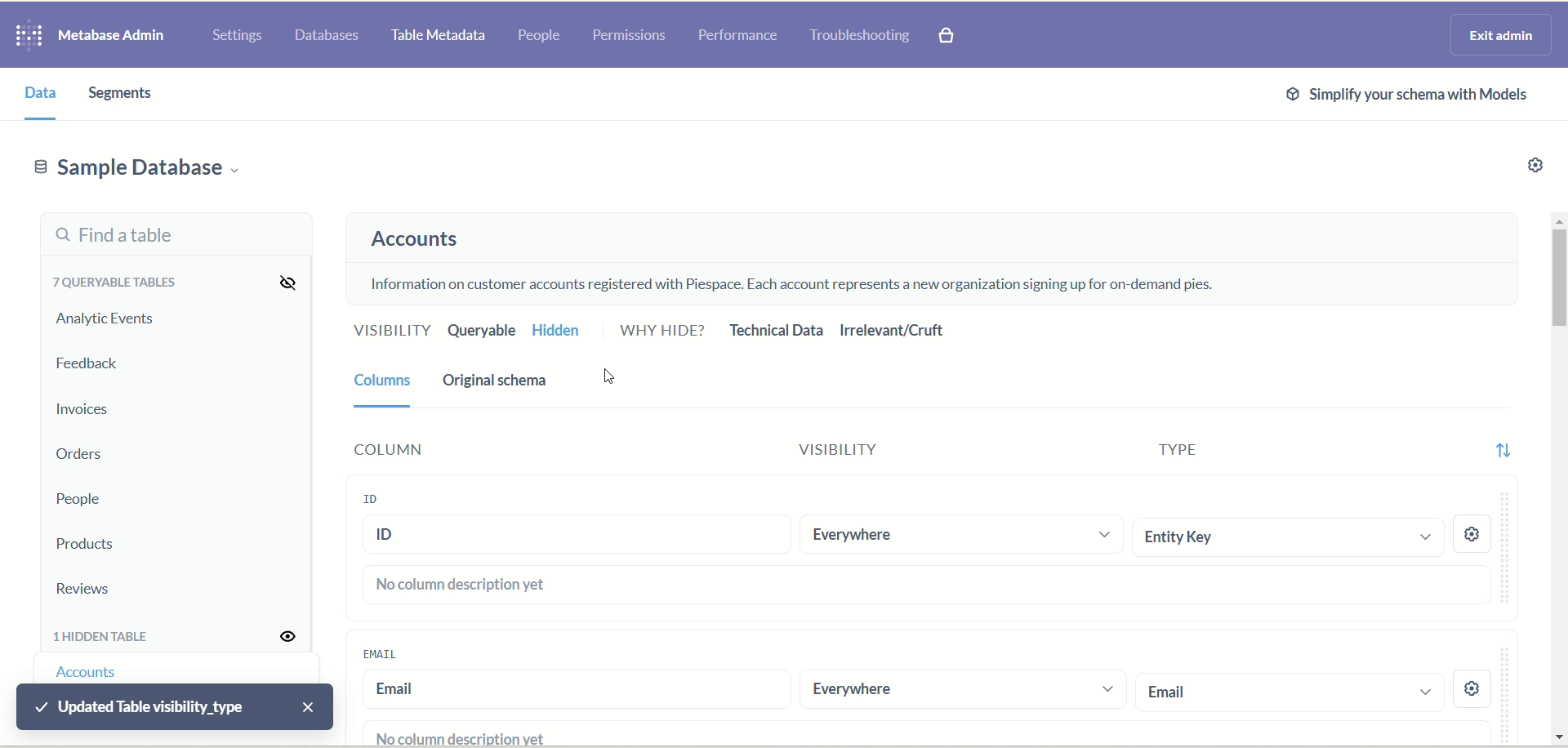  Describe the element at coordinates (1282, 452) in the screenshot. I see `type label` at that location.